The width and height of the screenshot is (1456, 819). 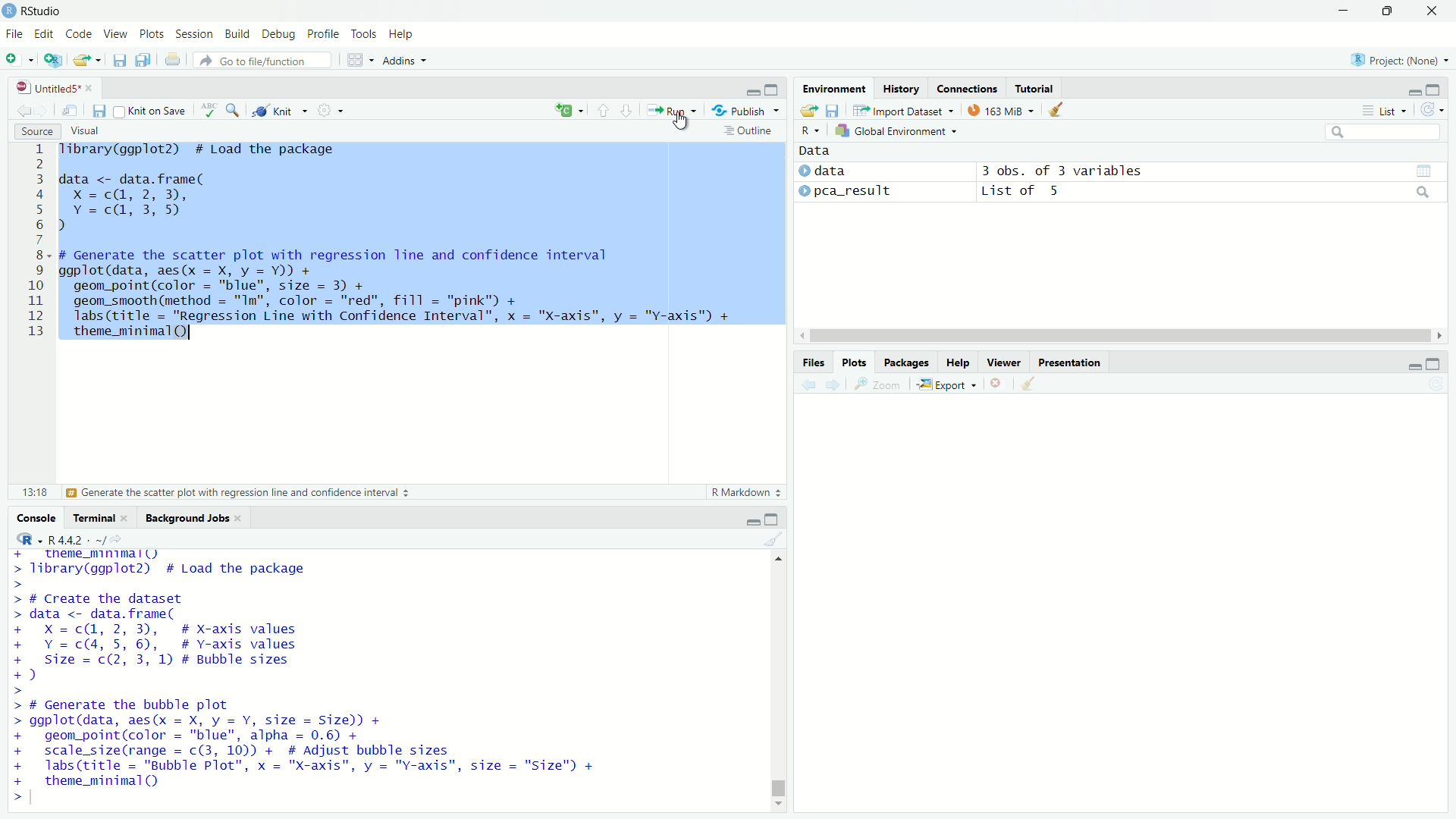 I want to click on close, so click(x=242, y=519).